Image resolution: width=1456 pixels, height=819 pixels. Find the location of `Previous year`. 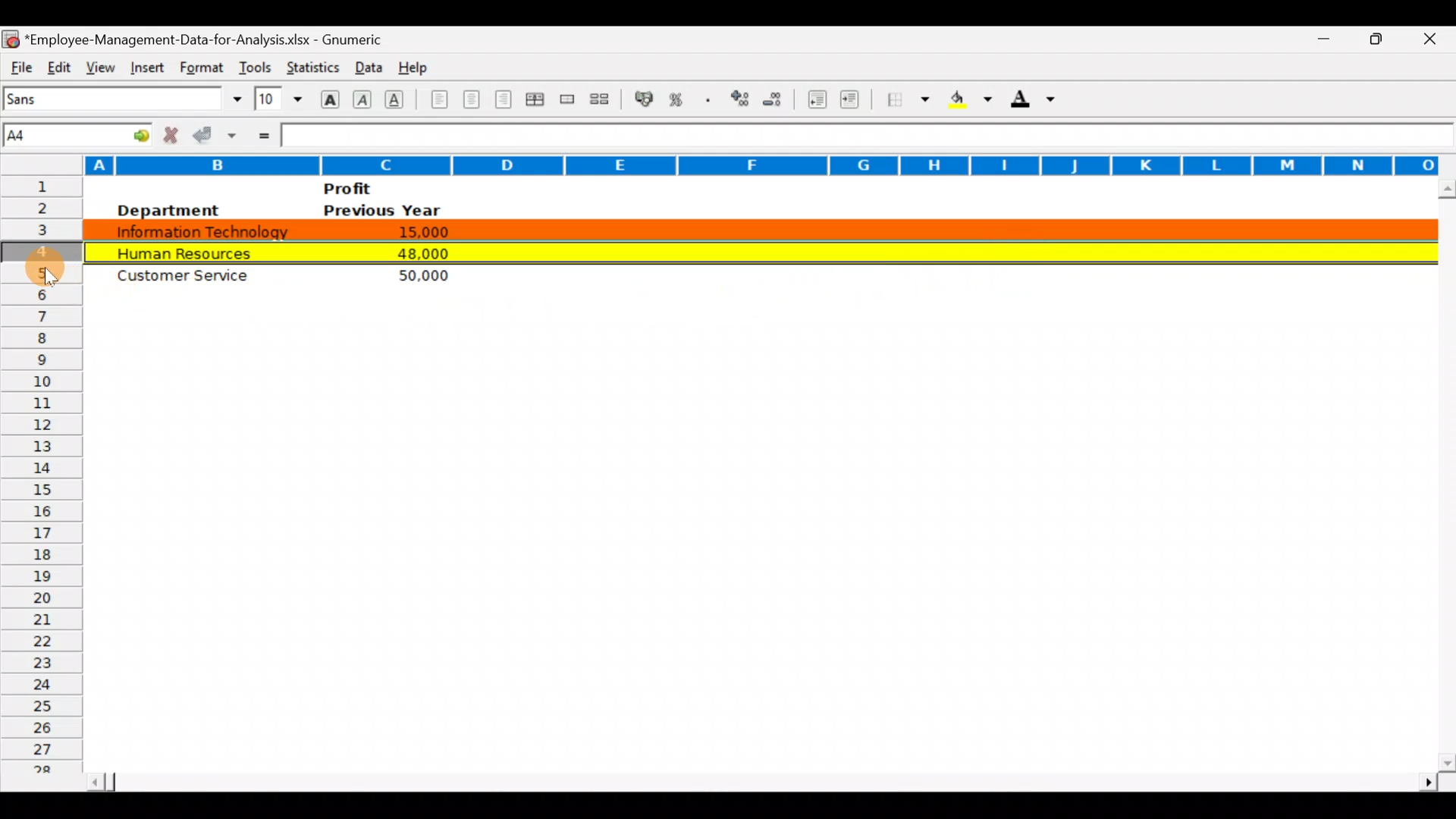

Previous year is located at coordinates (382, 211).